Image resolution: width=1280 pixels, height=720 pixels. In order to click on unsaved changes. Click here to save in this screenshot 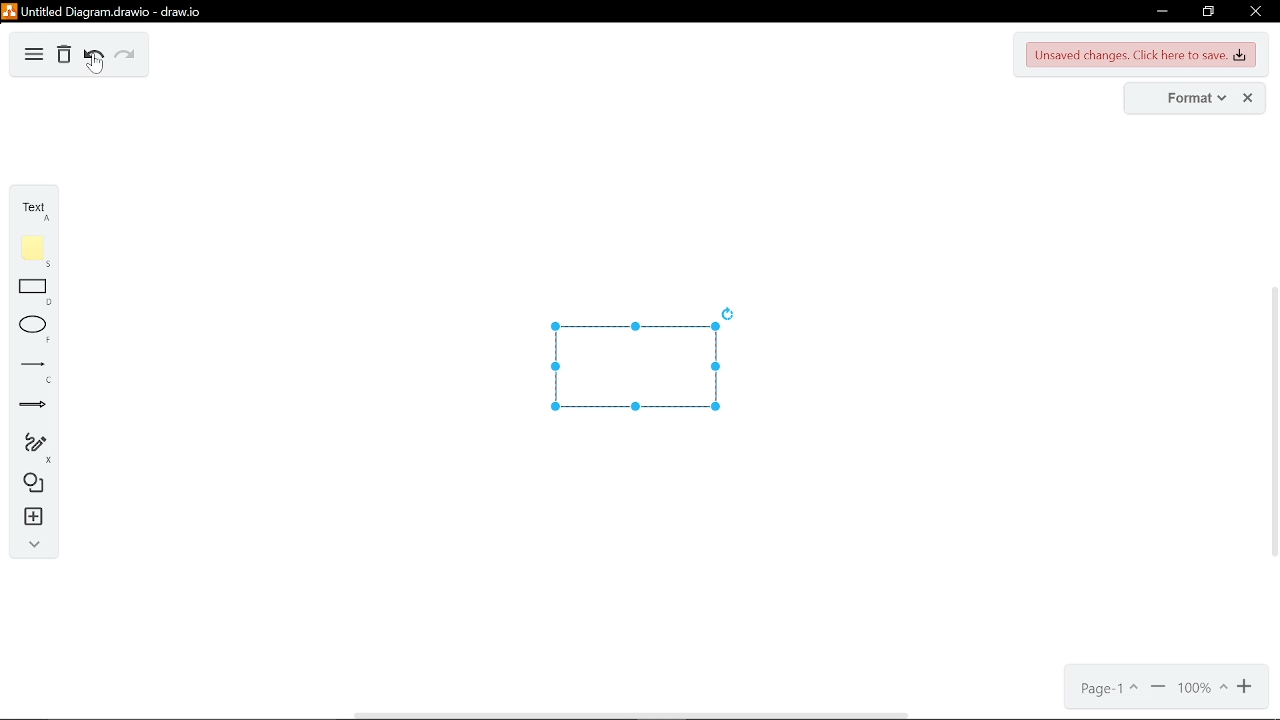, I will do `click(1141, 54)`.